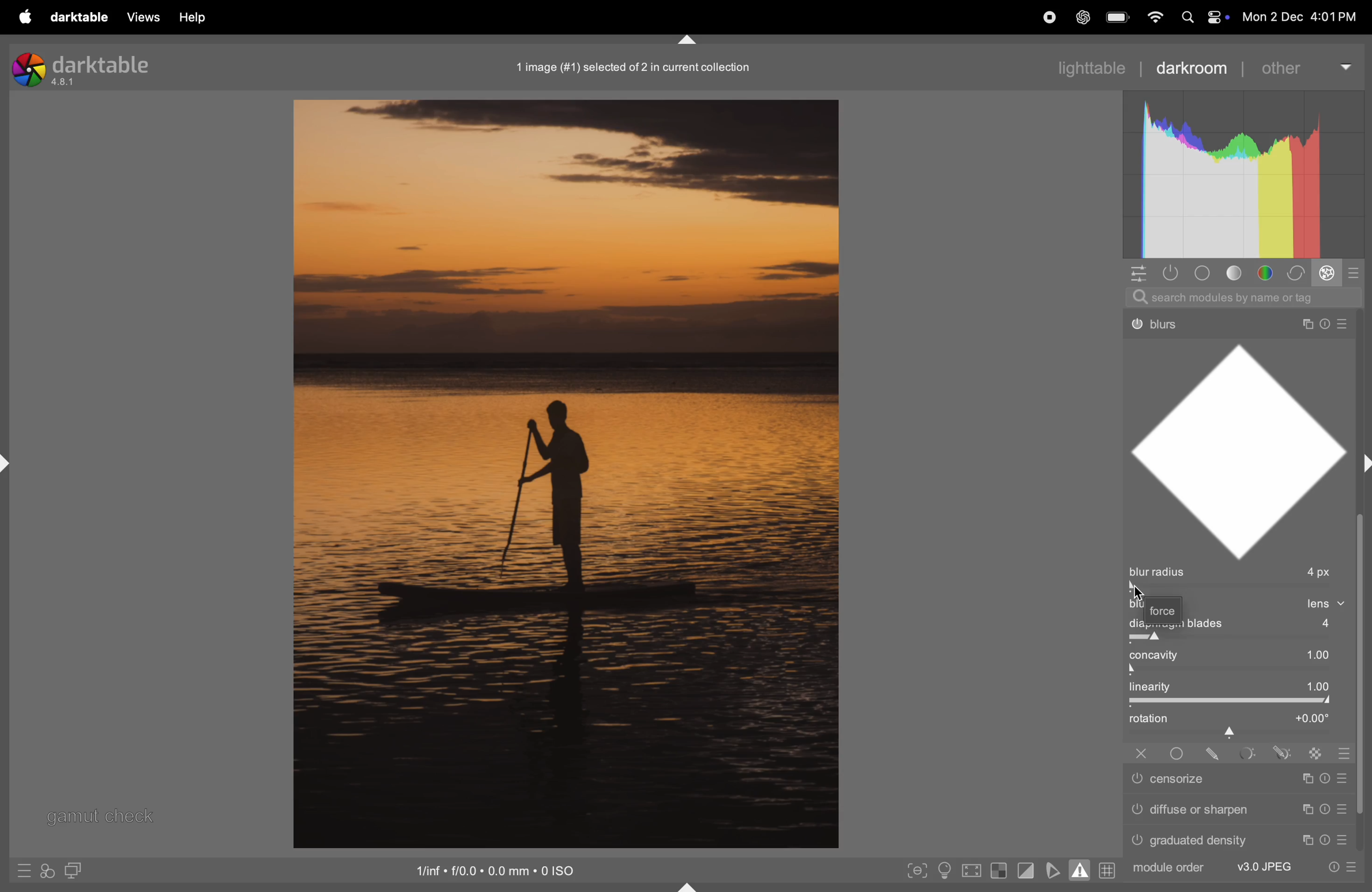 The width and height of the screenshot is (1372, 892). Describe the element at coordinates (1170, 273) in the screenshot. I see `show only active modules` at that location.